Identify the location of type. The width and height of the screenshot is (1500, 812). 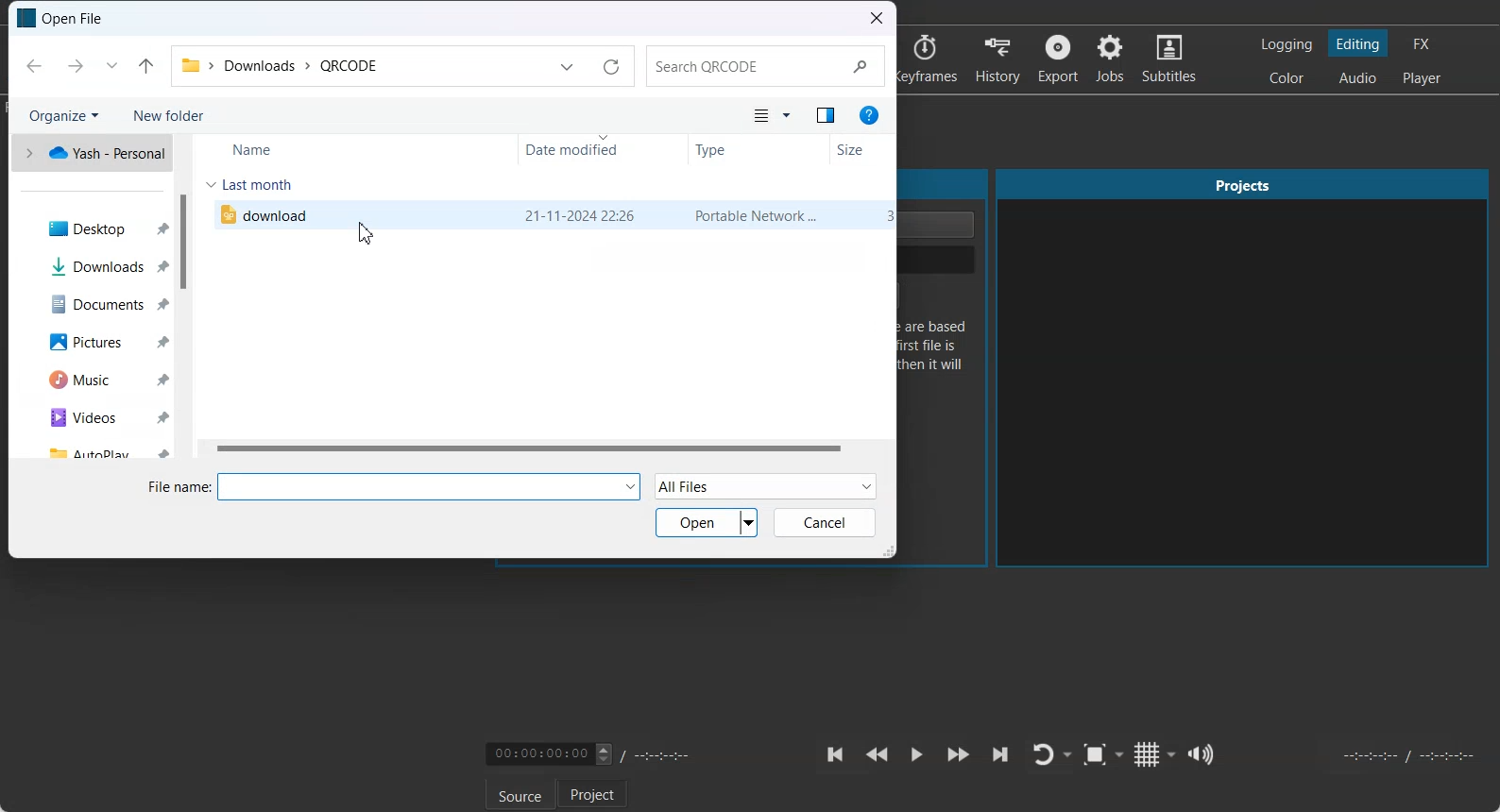
(755, 216).